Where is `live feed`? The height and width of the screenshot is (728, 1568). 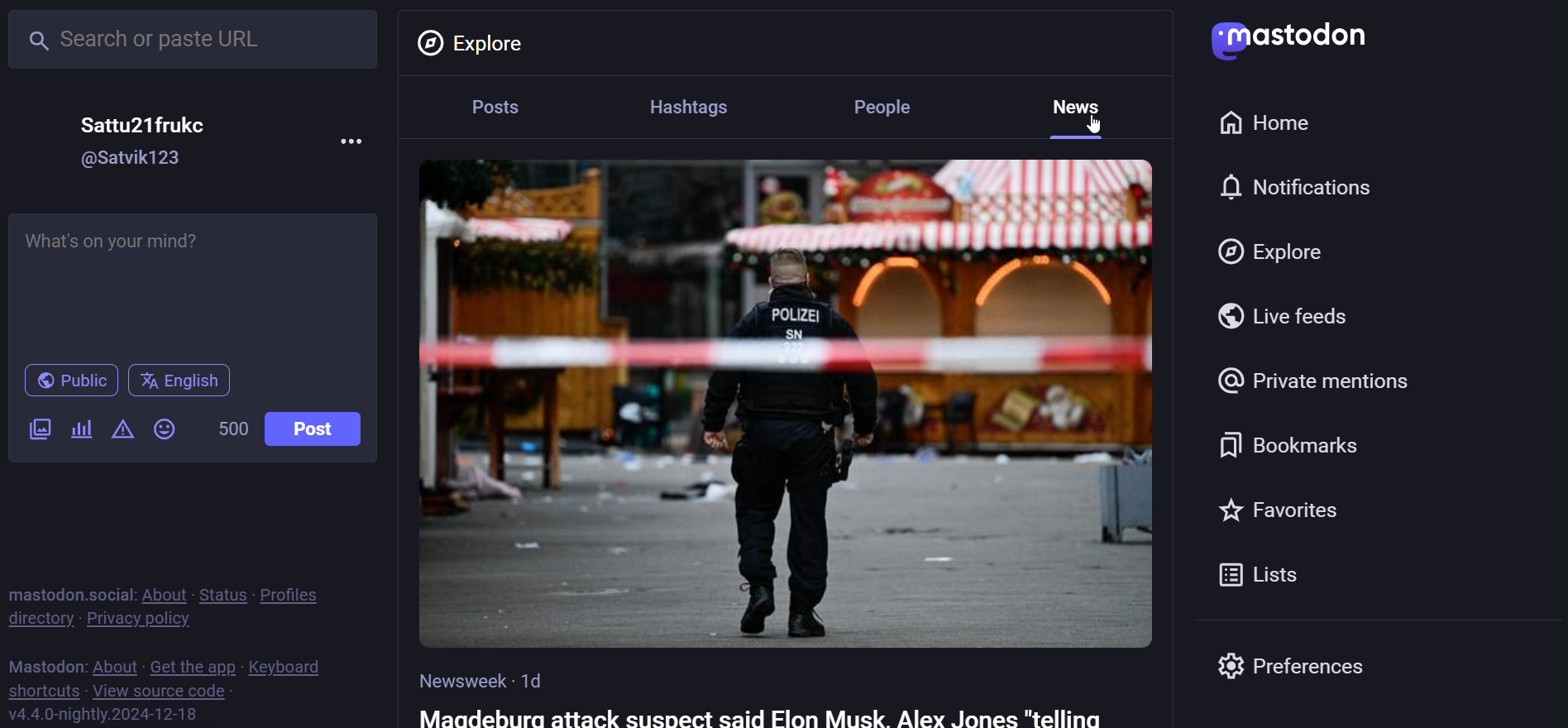 live feed is located at coordinates (1284, 317).